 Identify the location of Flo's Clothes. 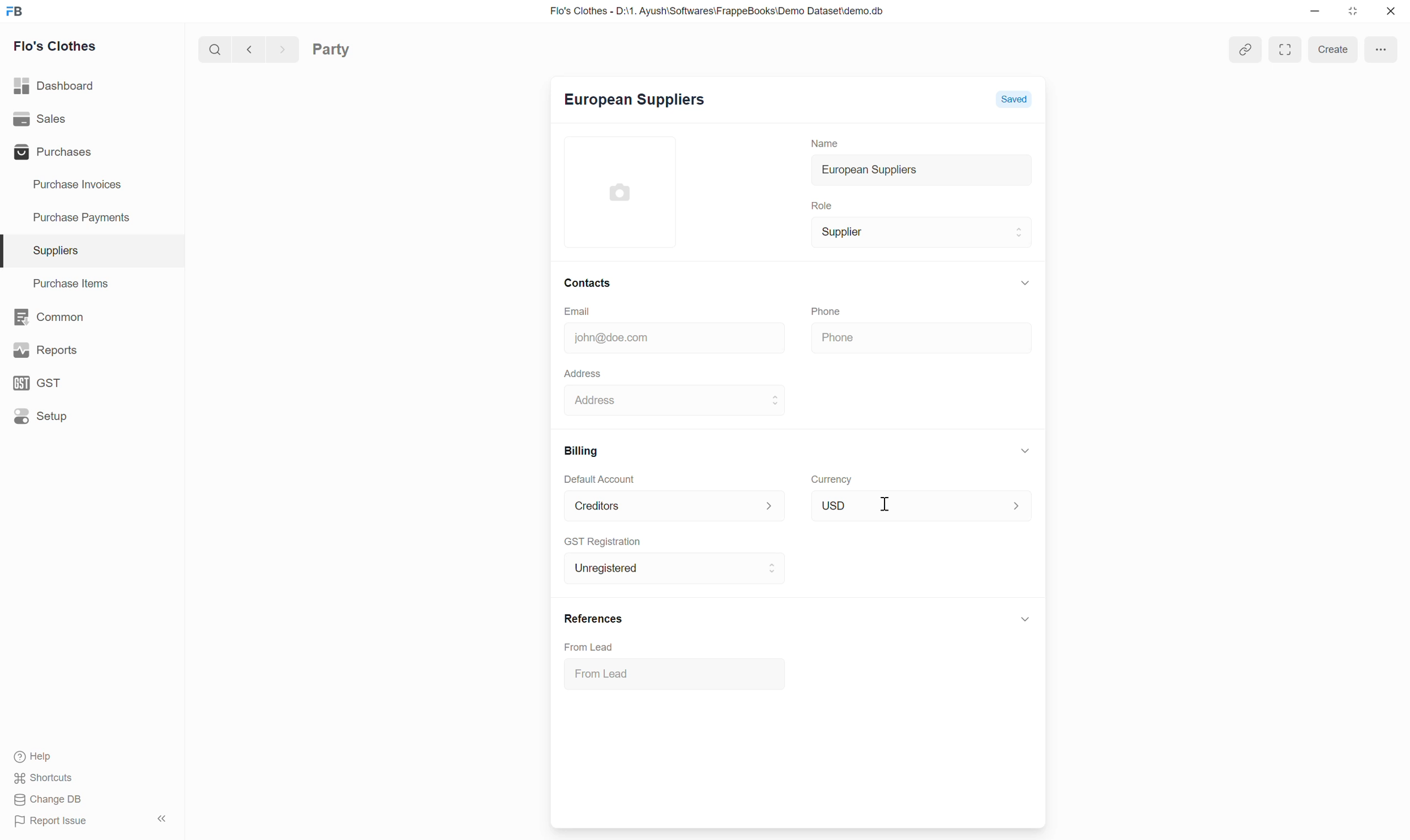
(53, 46).